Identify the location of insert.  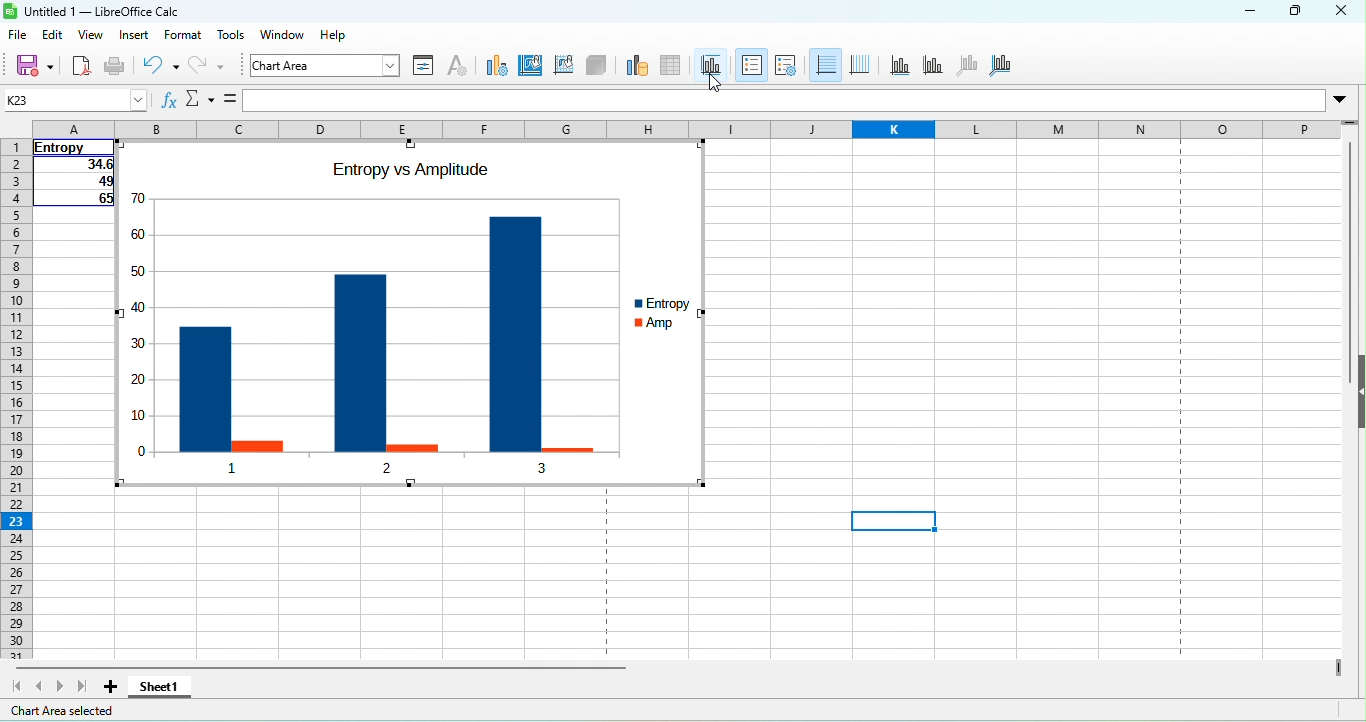
(137, 37).